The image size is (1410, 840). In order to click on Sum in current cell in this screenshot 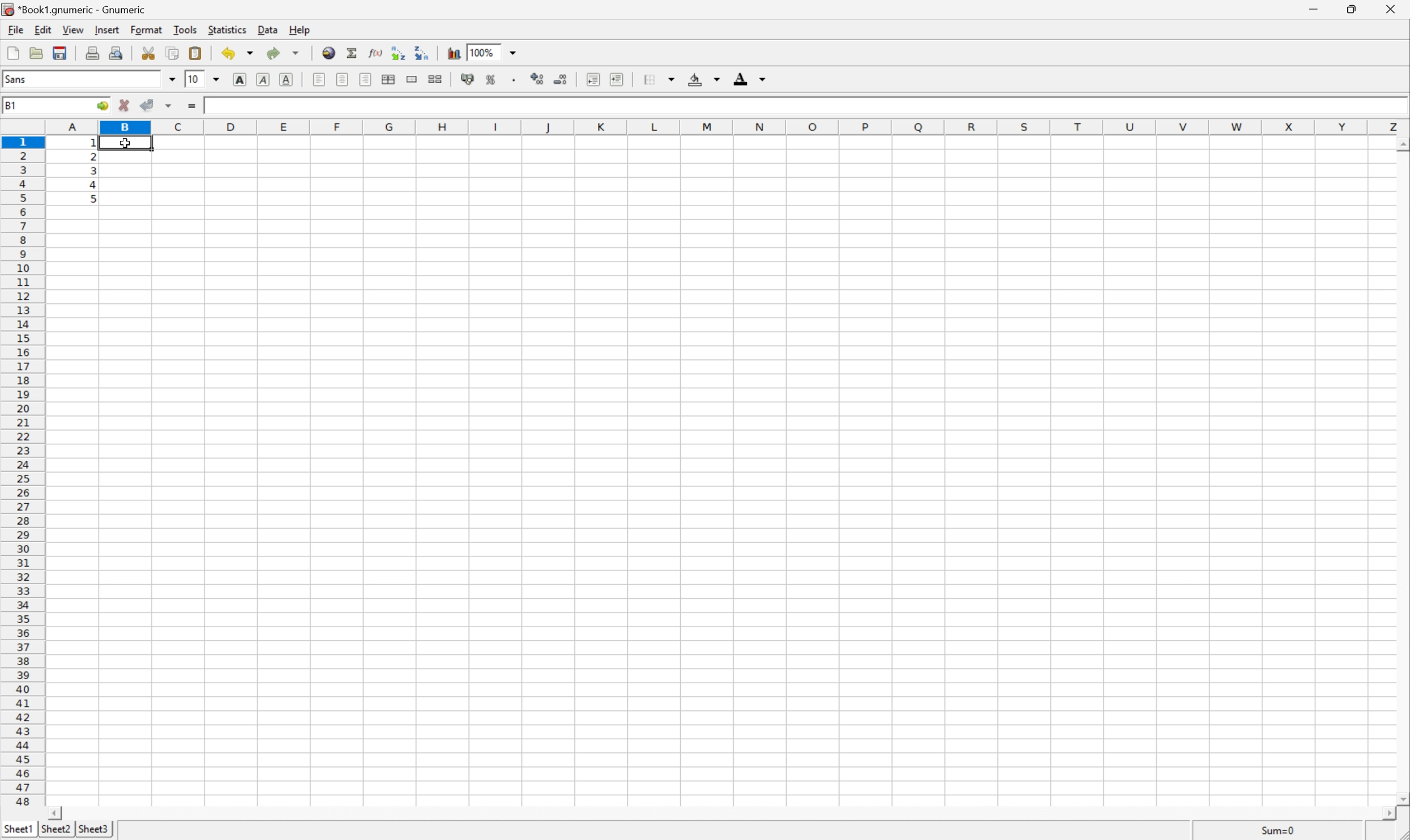, I will do `click(353, 54)`.